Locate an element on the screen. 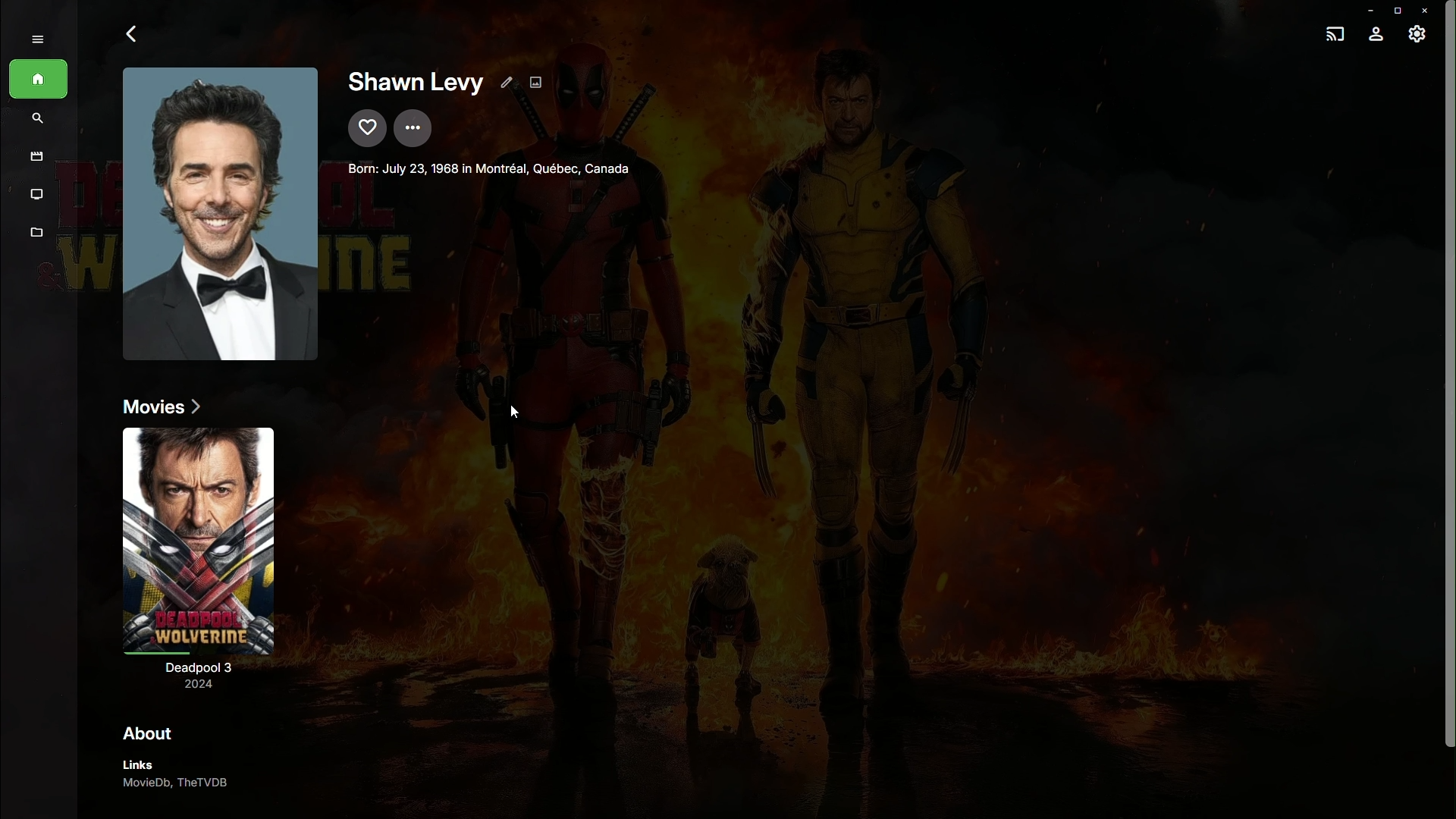 The width and height of the screenshot is (1456, 819). SHow menu is located at coordinates (36, 40).